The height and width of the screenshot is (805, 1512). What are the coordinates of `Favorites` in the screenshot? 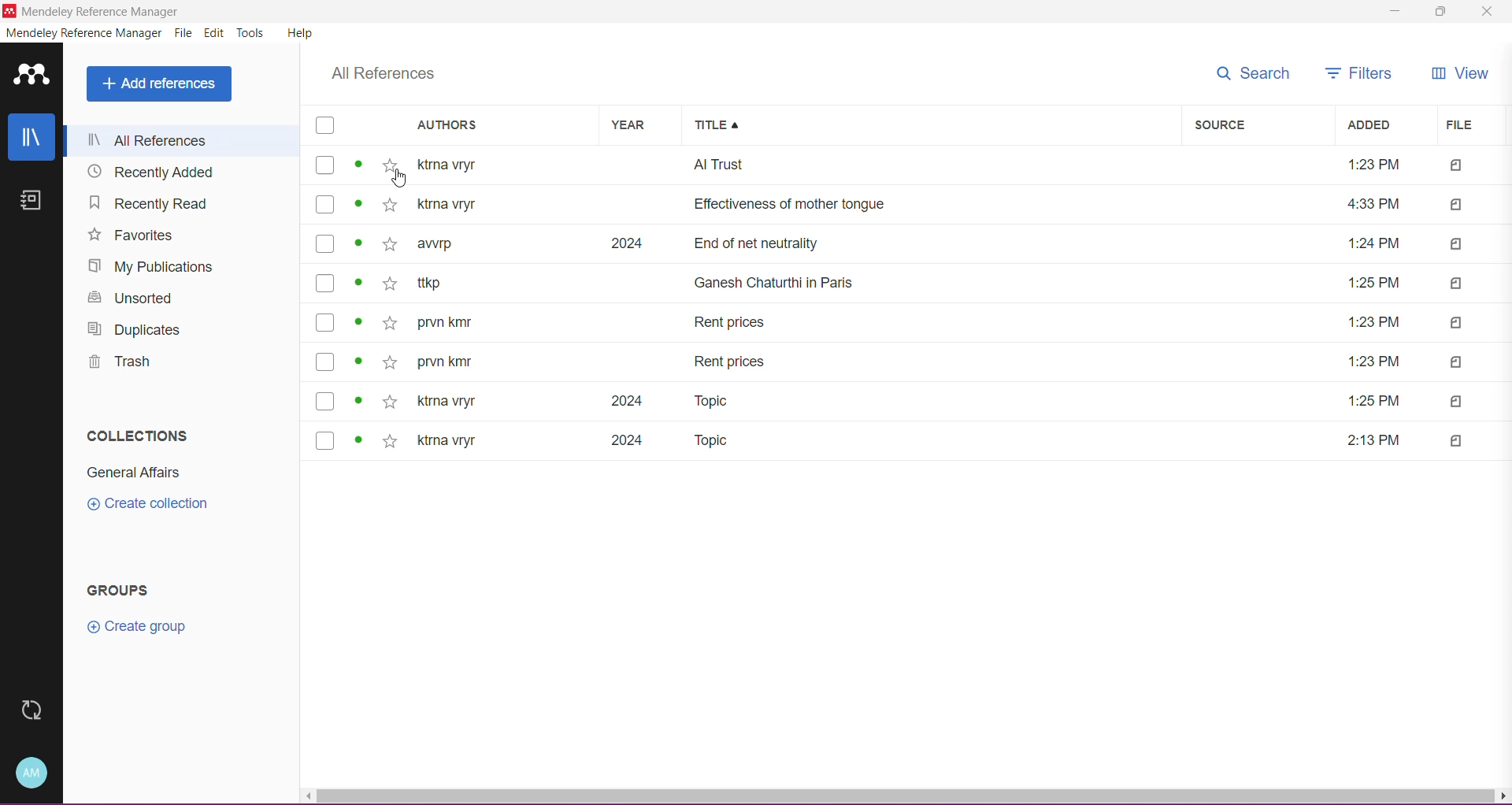 It's located at (131, 236).